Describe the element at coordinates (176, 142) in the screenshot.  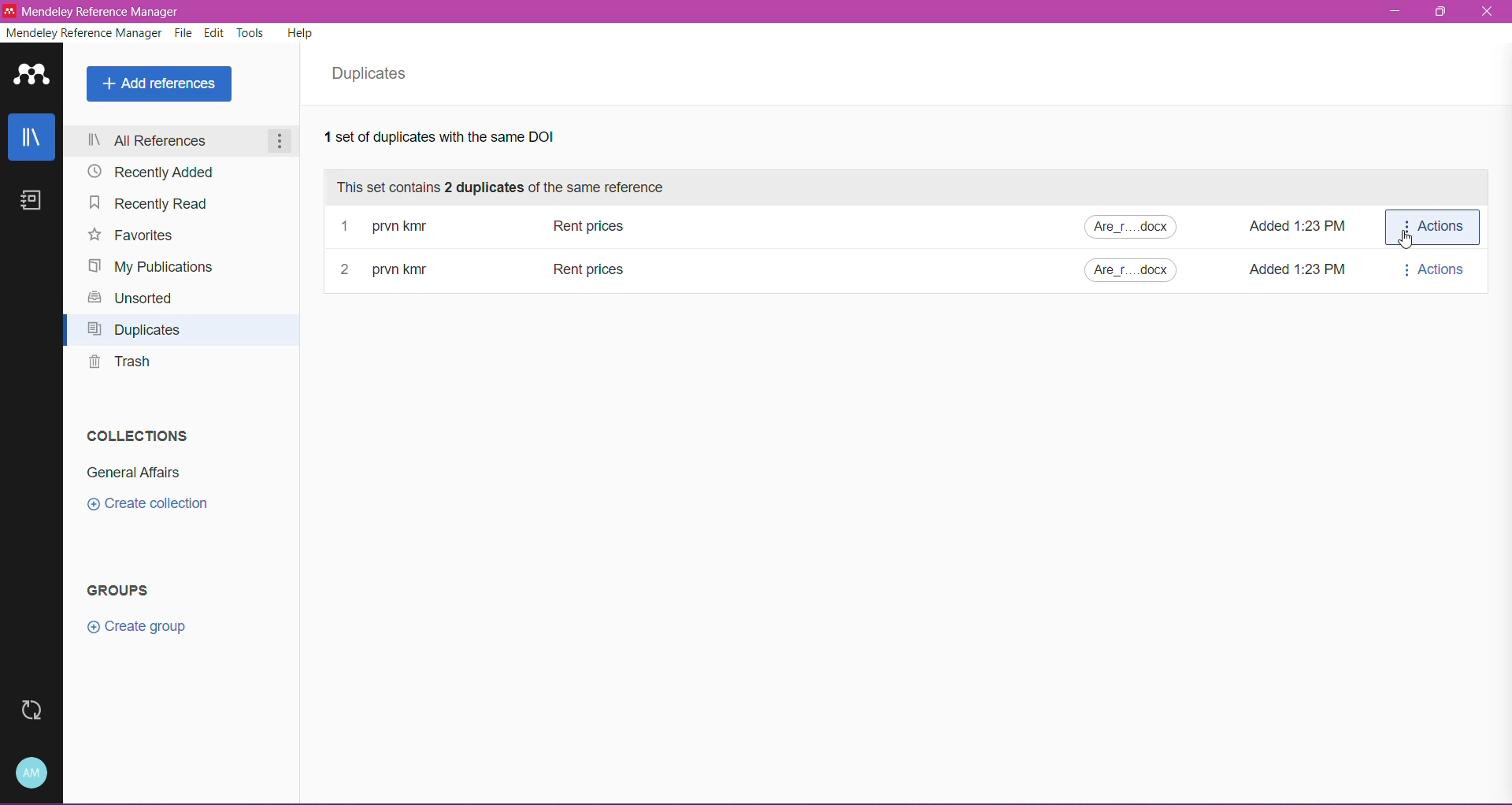
I see `All References` at that location.